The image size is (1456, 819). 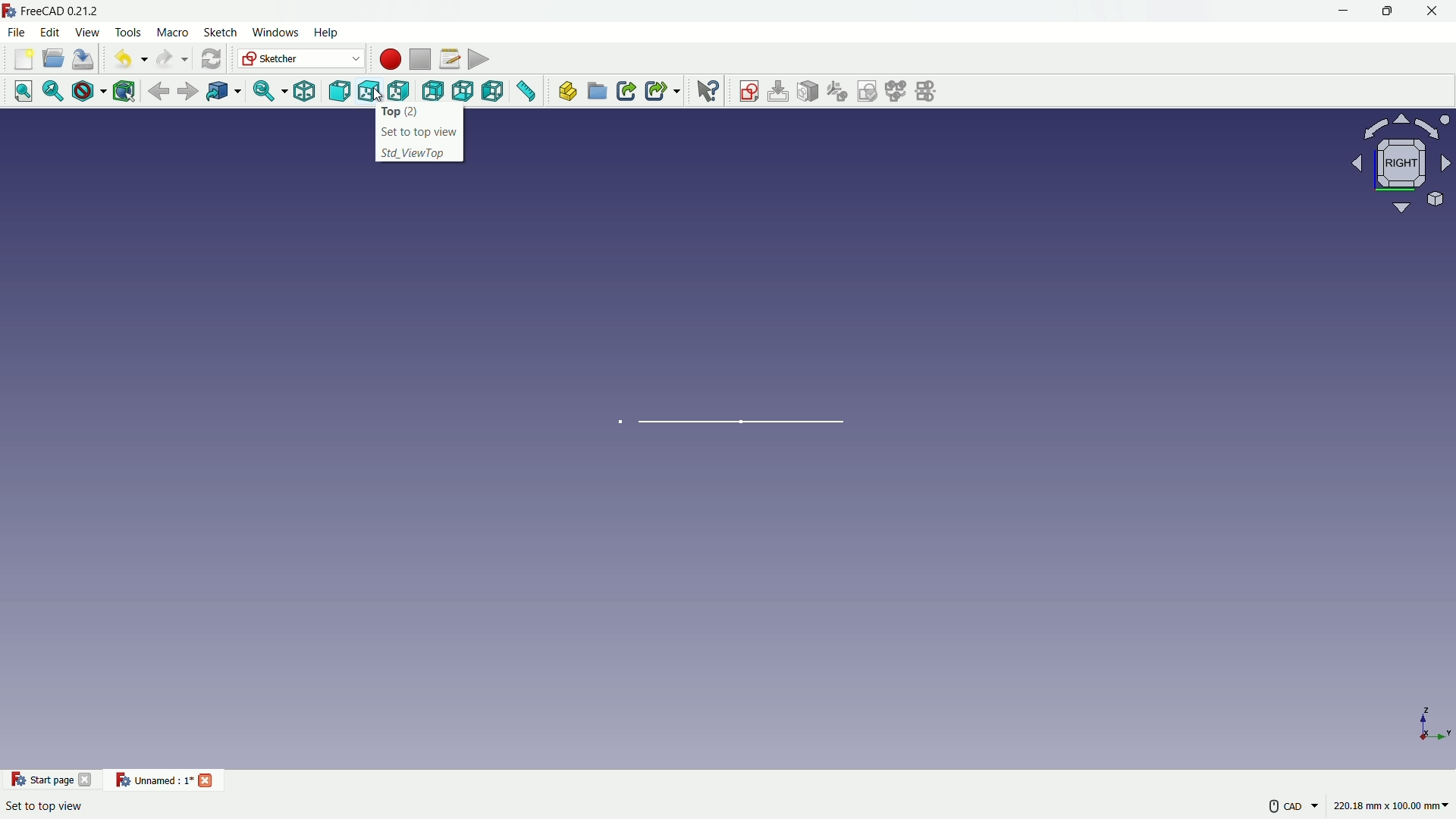 I want to click on validate sketches, so click(x=869, y=92).